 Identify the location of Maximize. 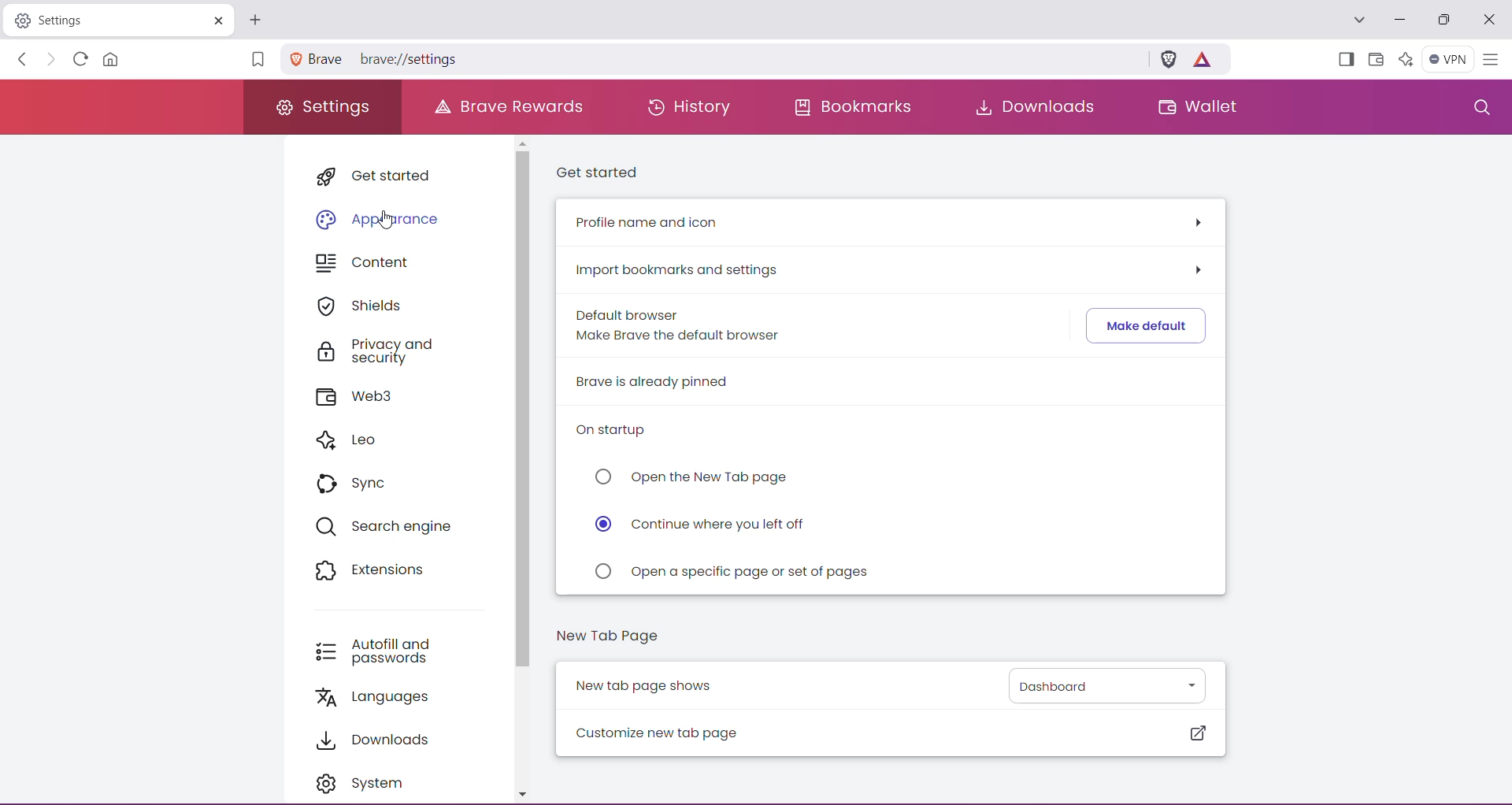
(1443, 21).